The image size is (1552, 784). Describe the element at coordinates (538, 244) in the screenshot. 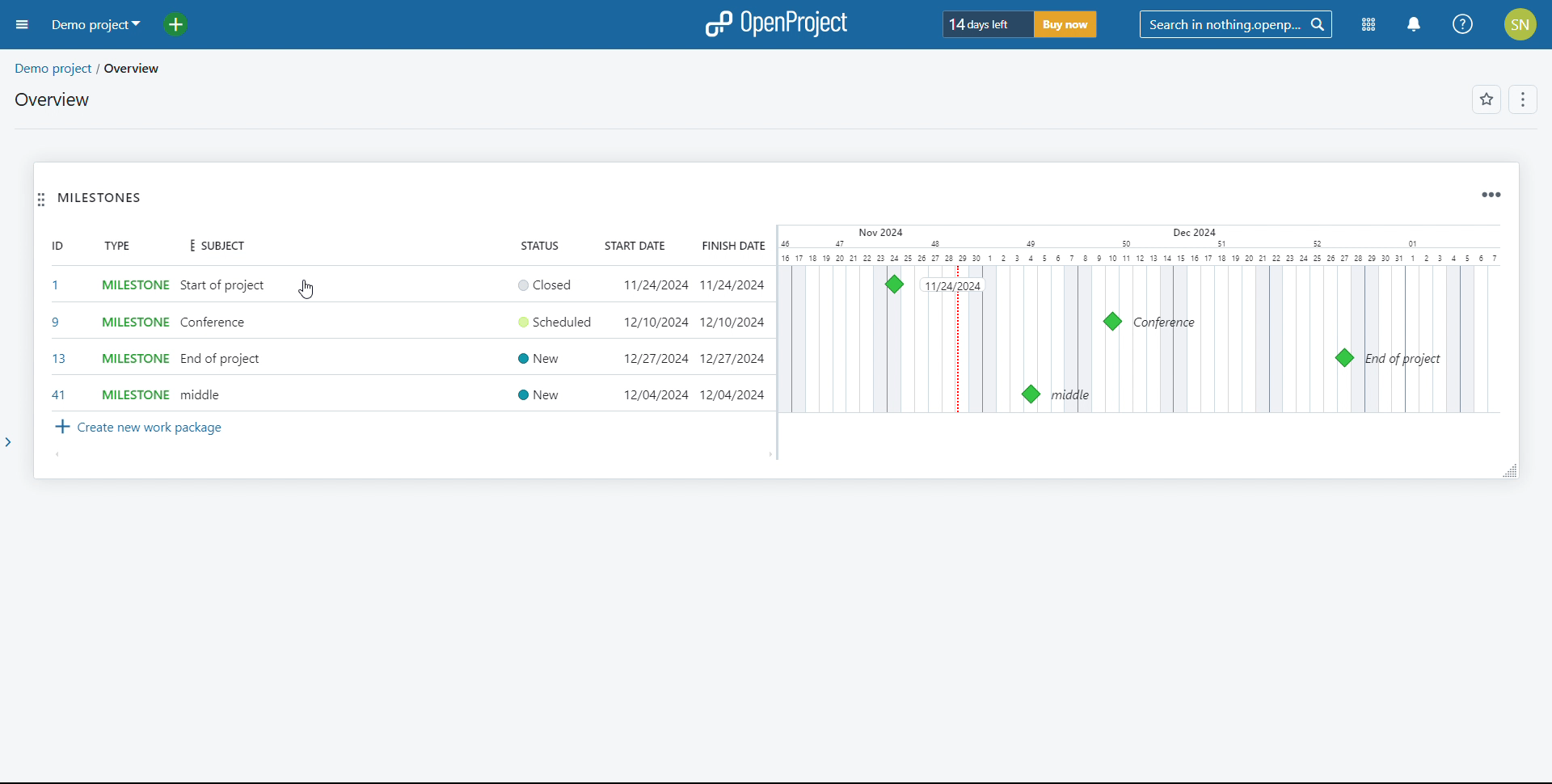

I see `status` at that location.